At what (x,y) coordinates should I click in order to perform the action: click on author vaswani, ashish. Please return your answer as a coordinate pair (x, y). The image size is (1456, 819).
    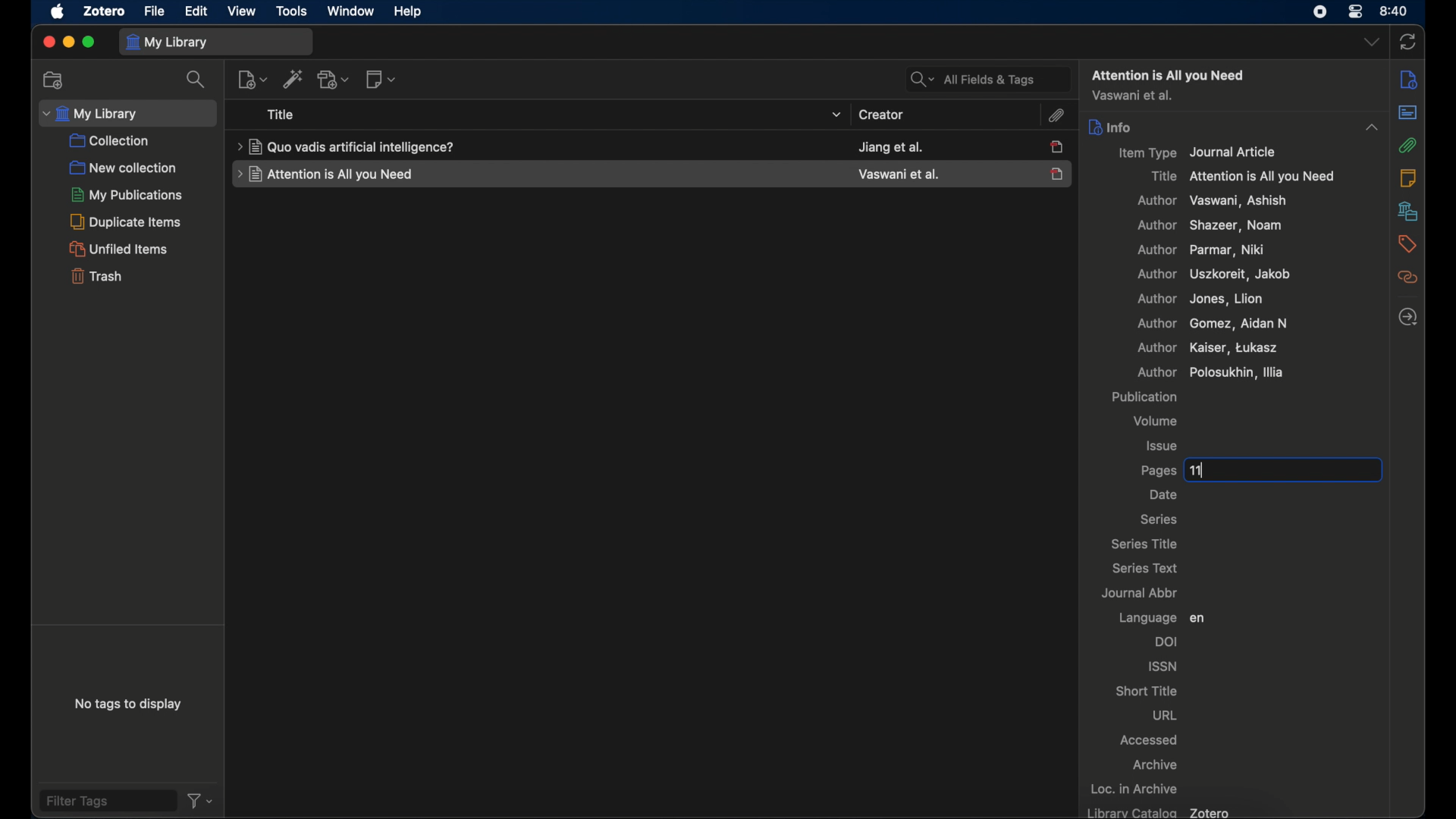
    Looking at the image, I should click on (1212, 201).